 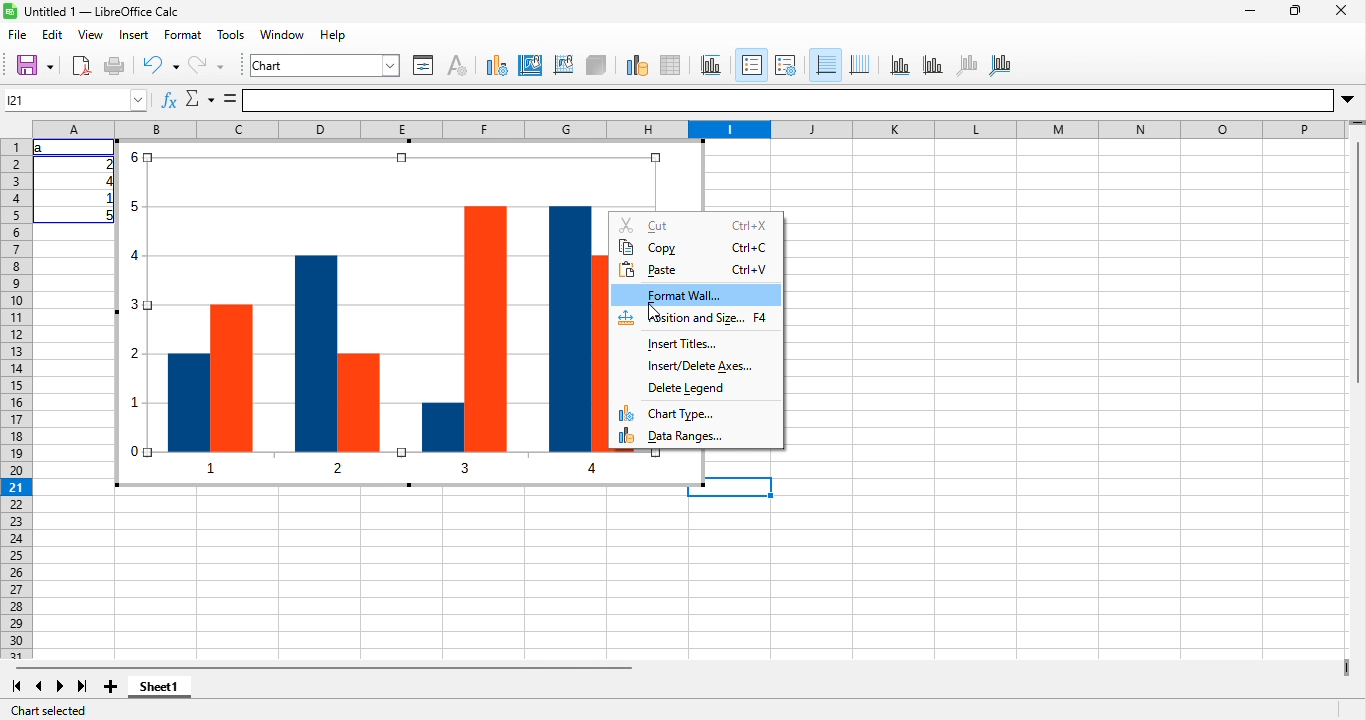 I want to click on character, so click(x=457, y=67).